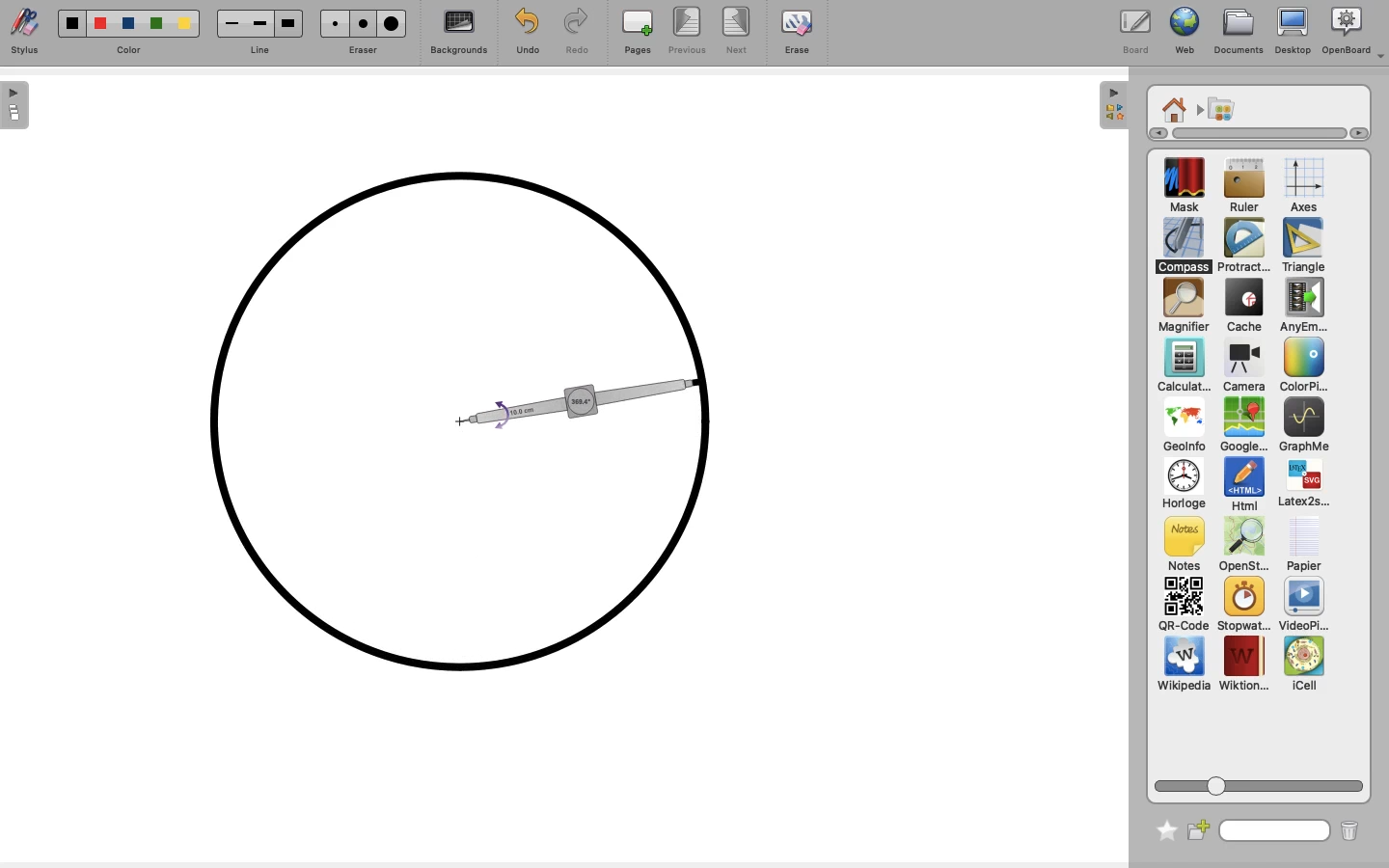  Describe the element at coordinates (1184, 430) in the screenshot. I see `GeoInfo` at that location.